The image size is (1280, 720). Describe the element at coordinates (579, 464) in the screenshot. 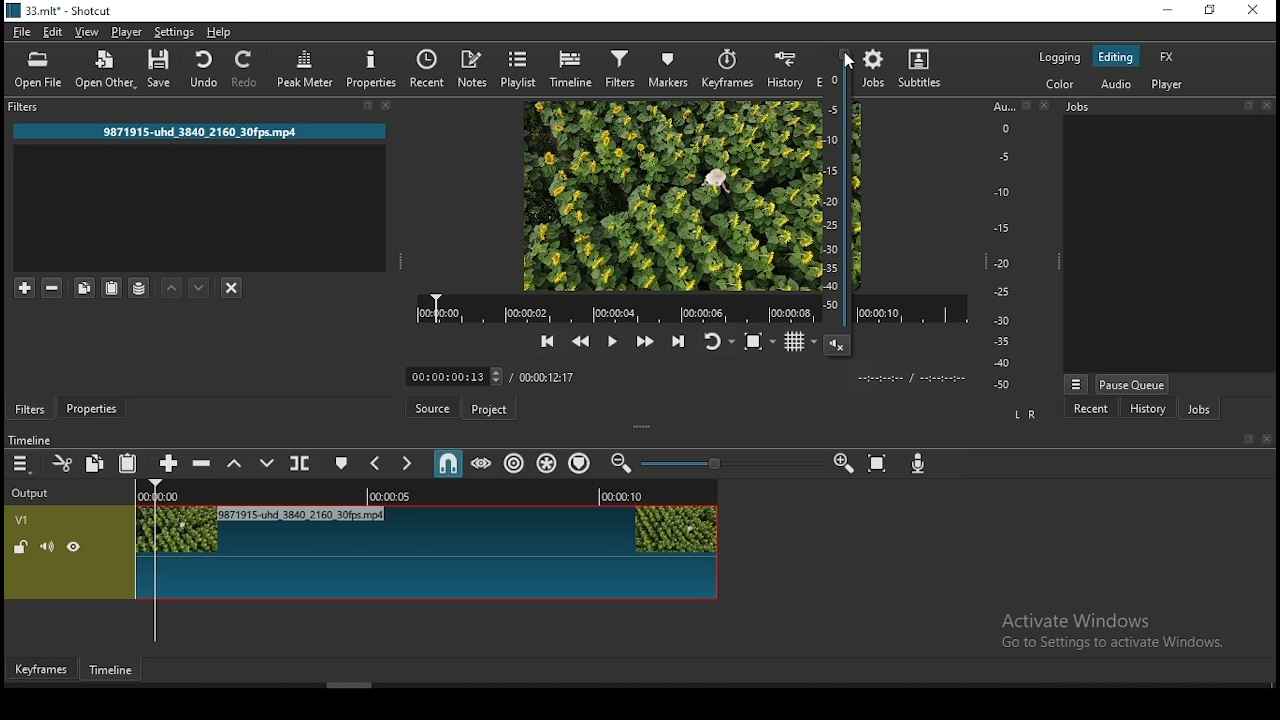

I see `ripple markers` at that location.